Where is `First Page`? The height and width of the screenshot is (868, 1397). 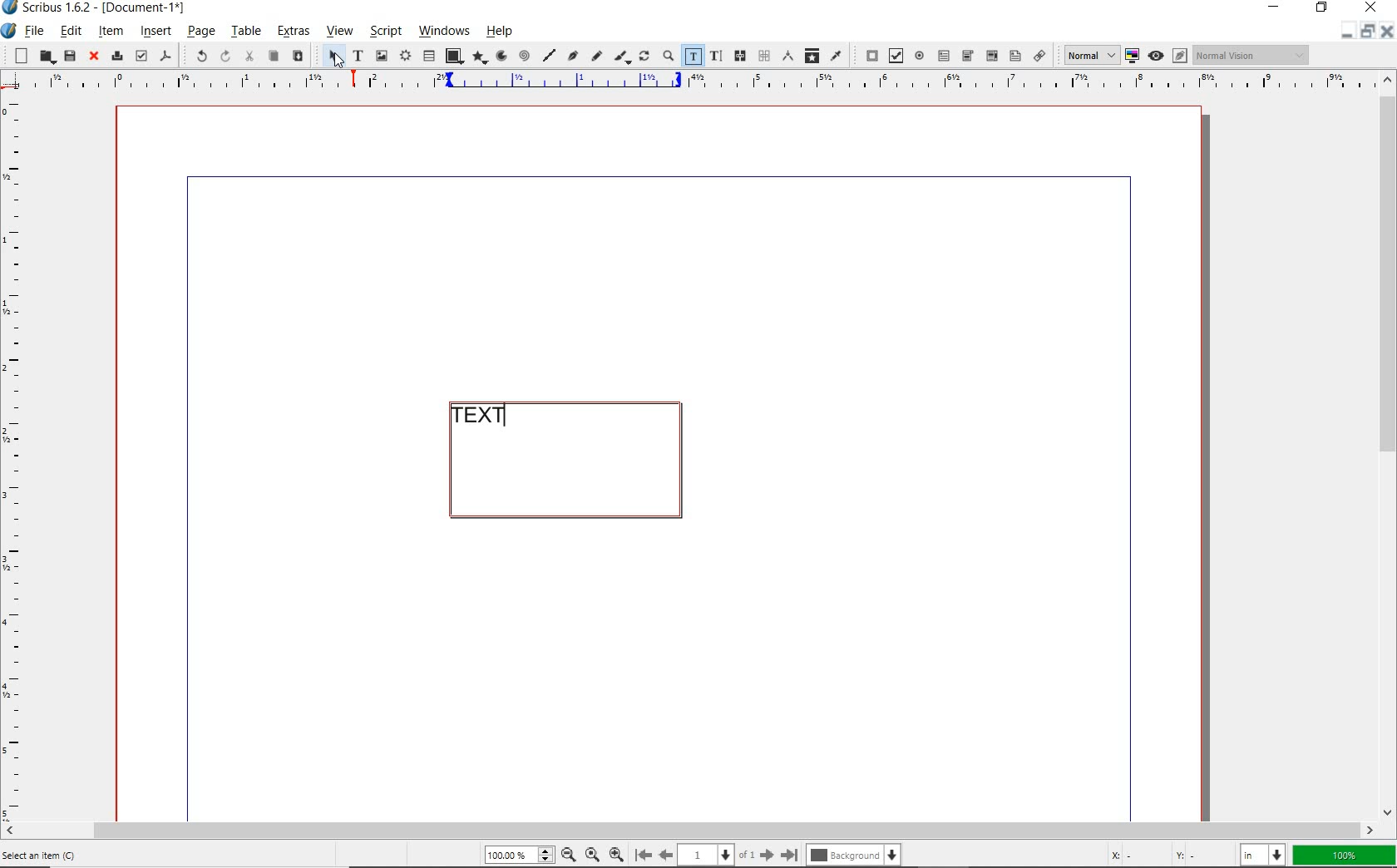 First Page is located at coordinates (644, 856).